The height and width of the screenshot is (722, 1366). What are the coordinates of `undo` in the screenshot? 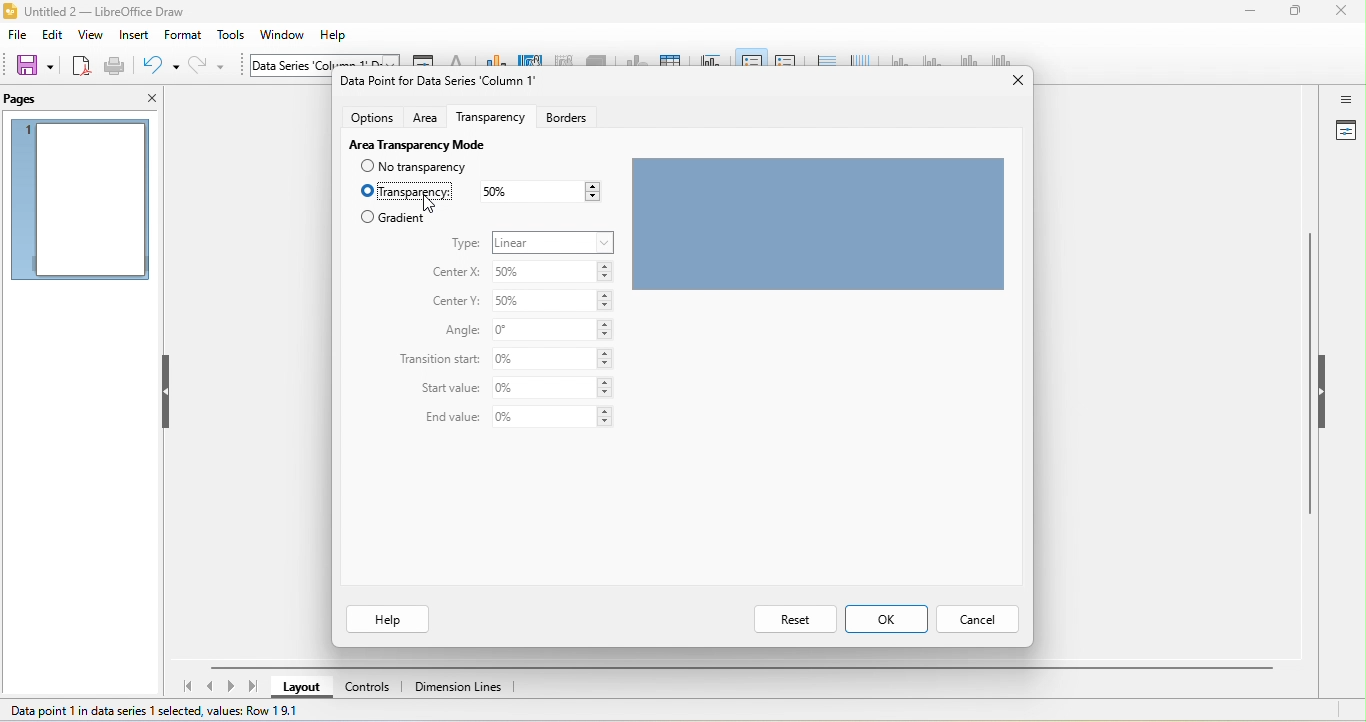 It's located at (160, 65).